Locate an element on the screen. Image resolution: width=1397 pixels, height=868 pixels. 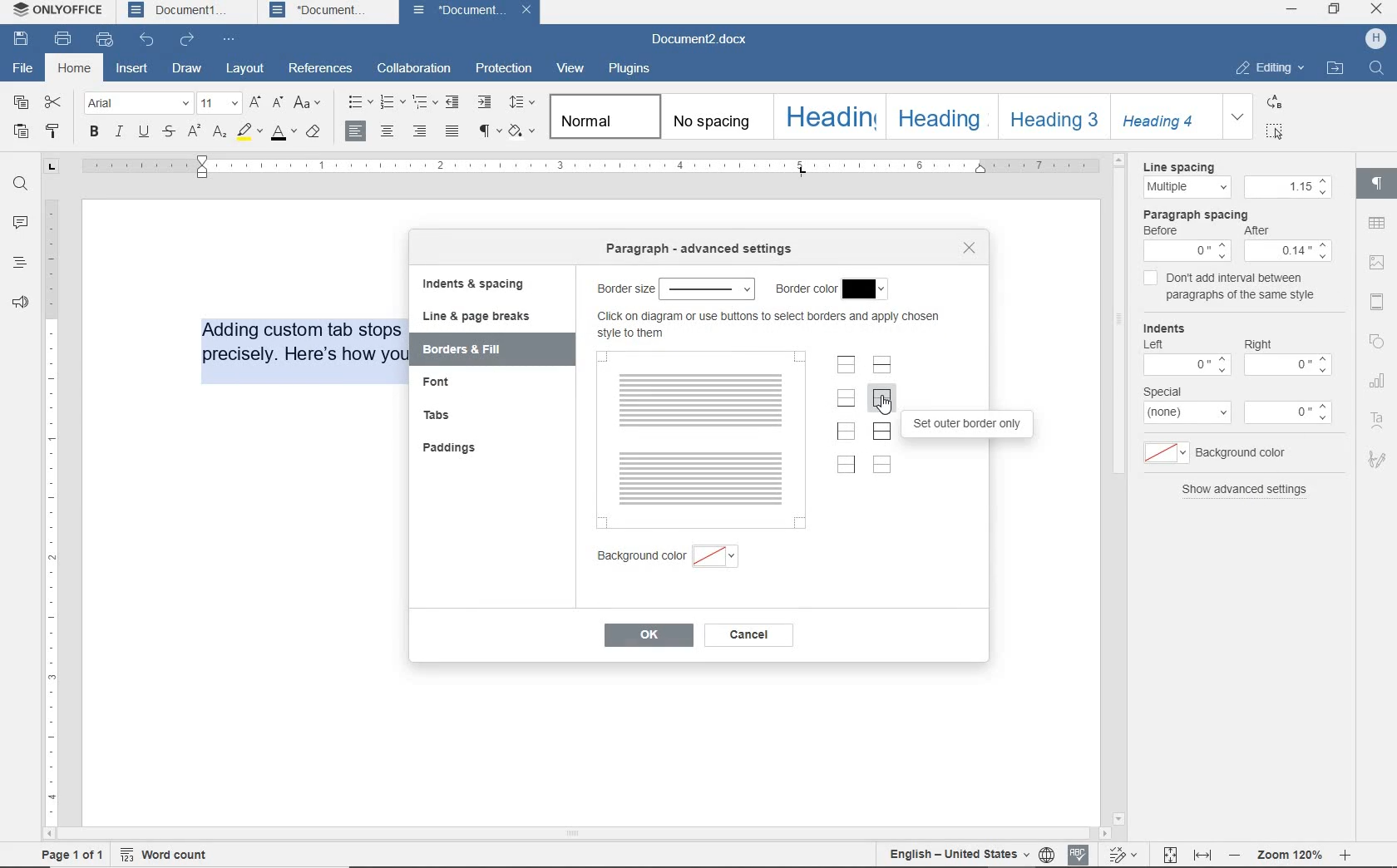
onlyoffice tab is located at coordinates (55, 12).